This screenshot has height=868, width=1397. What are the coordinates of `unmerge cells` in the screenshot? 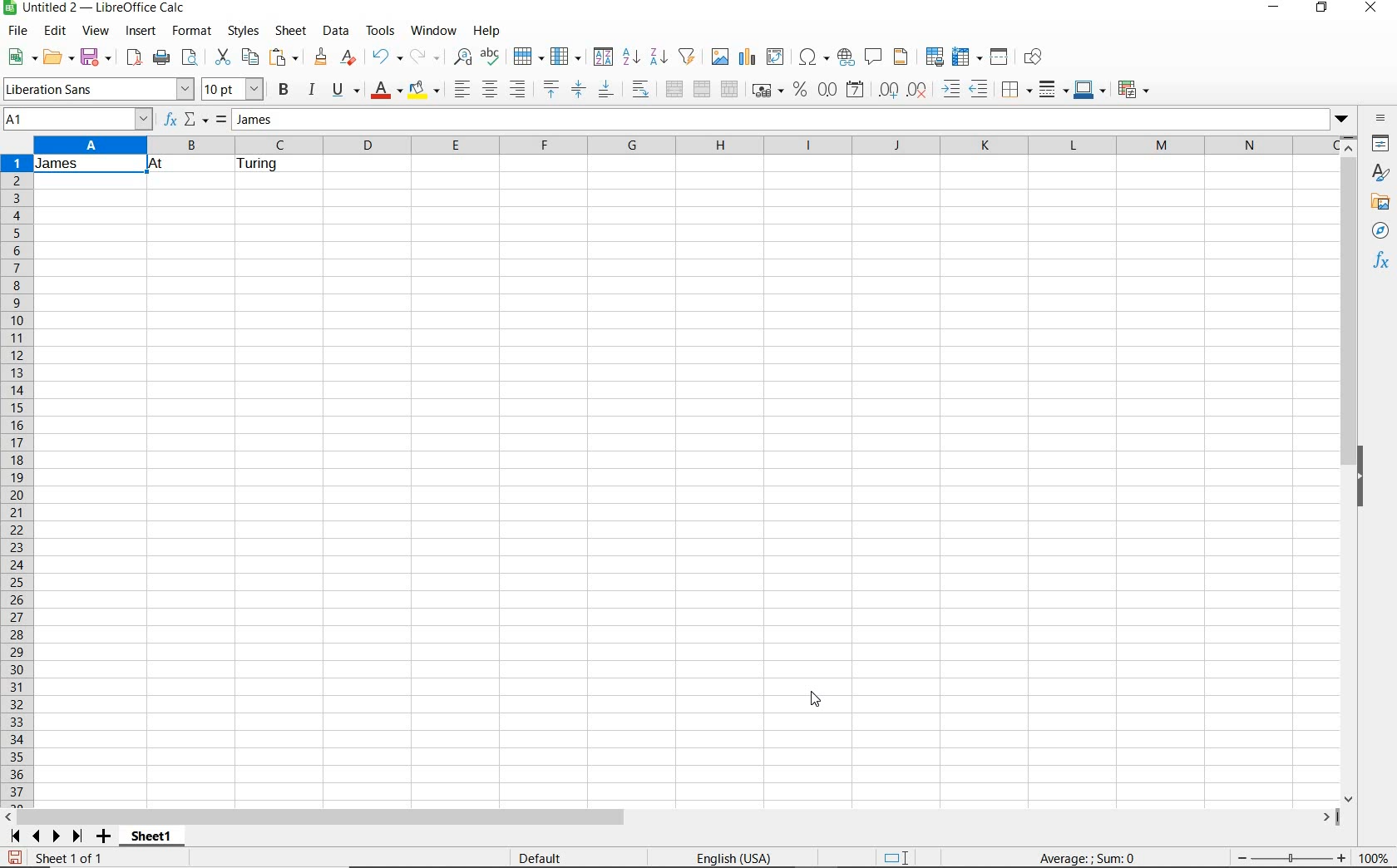 It's located at (730, 88).